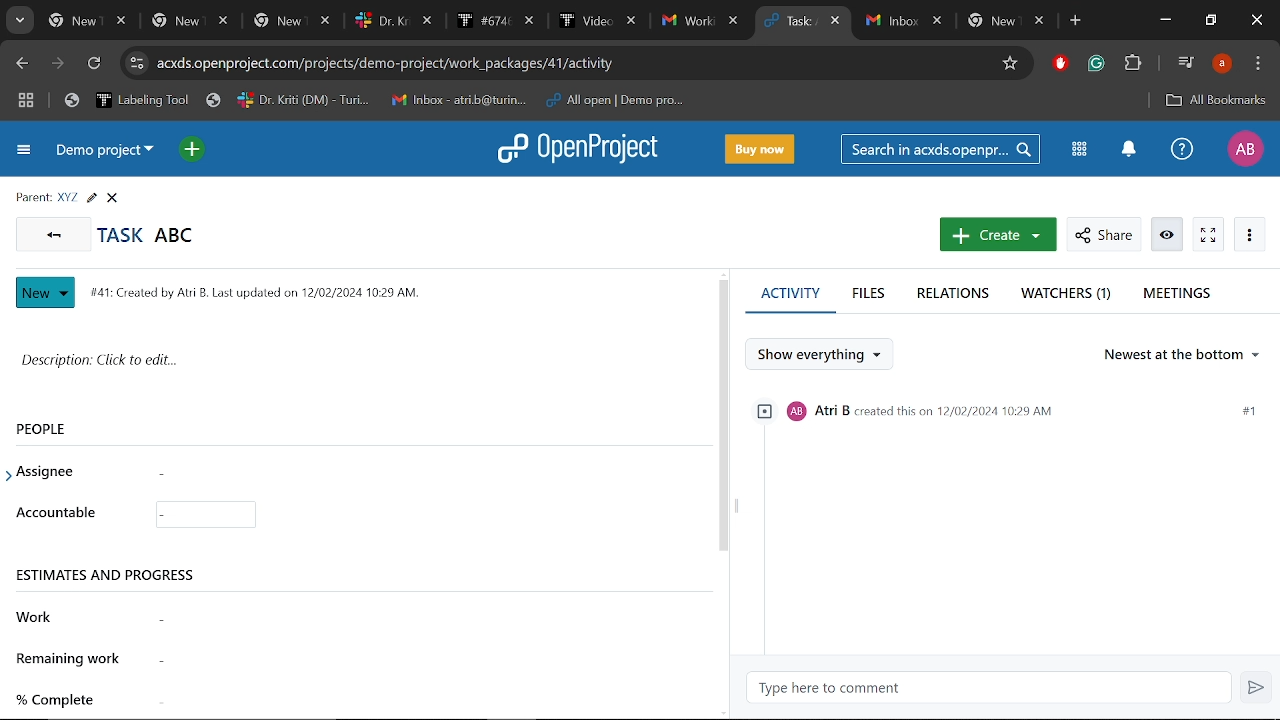 Image resolution: width=1280 pixels, height=720 pixels. Describe the element at coordinates (1074, 22) in the screenshot. I see `Add new tab` at that location.